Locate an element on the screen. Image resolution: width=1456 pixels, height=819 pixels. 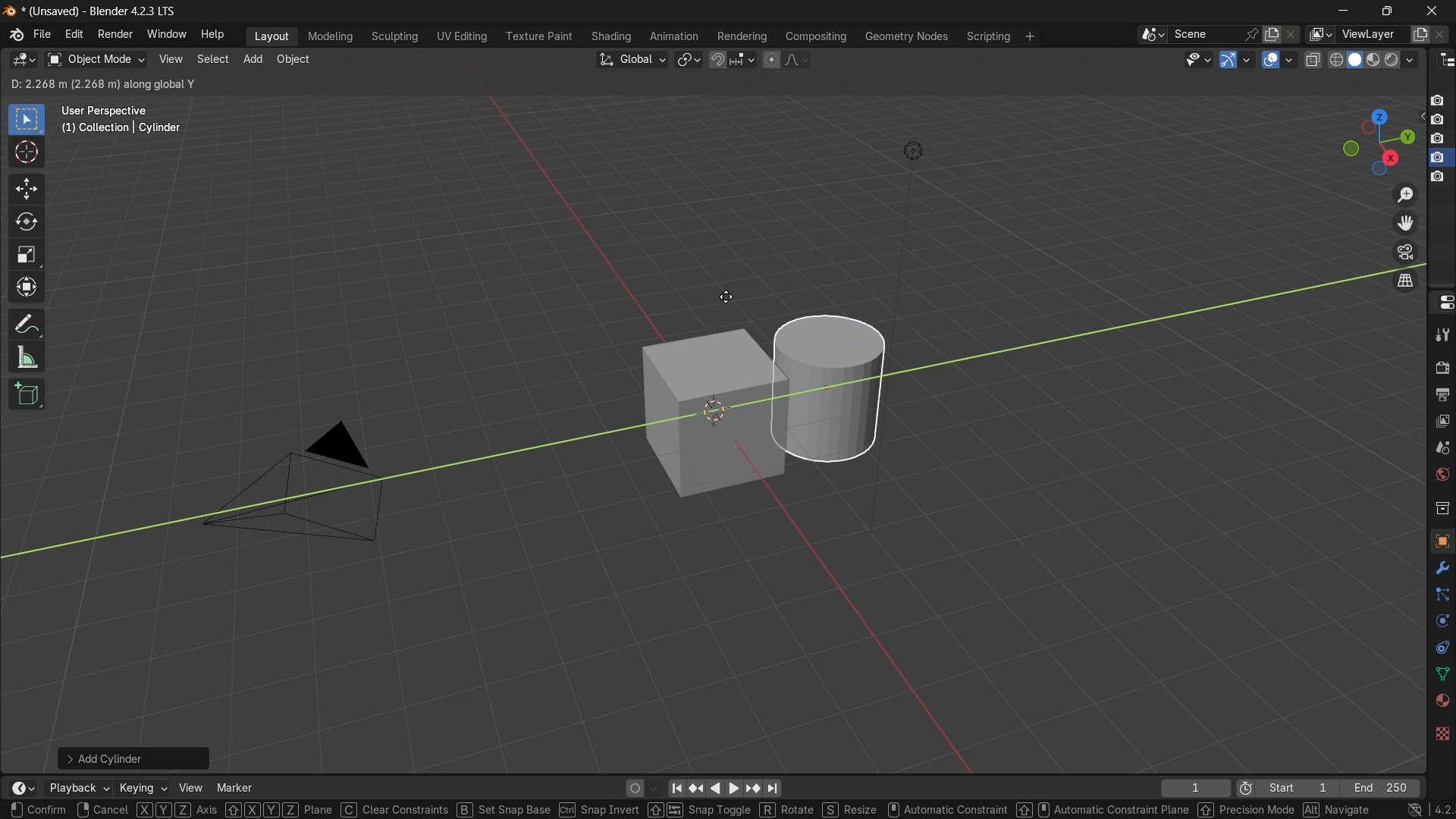
shading menu is located at coordinates (613, 37).